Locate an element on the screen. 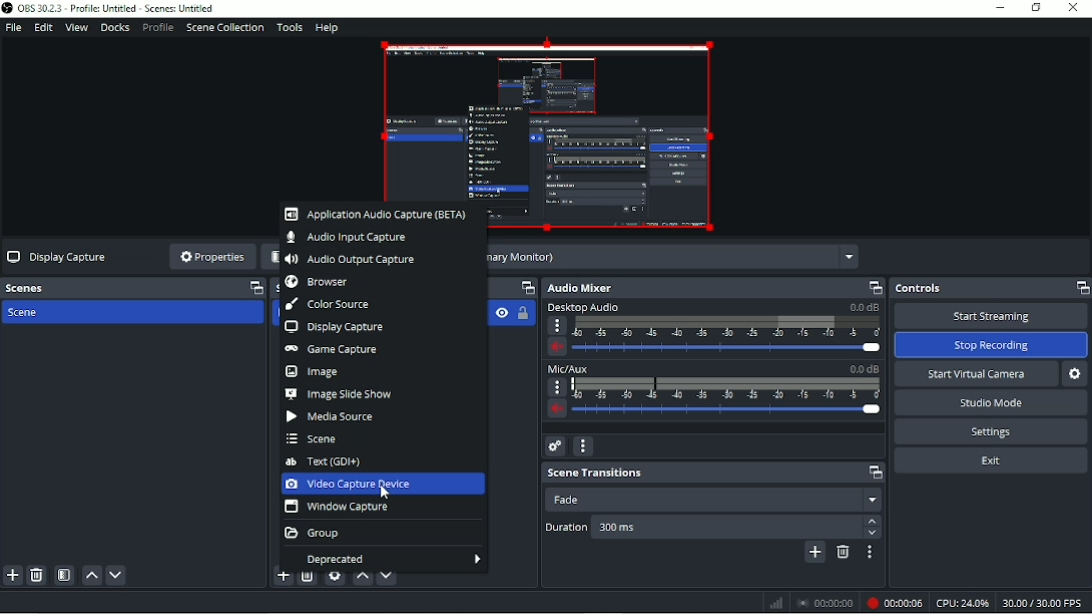 This screenshot has height=614, width=1092. View is located at coordinates (75, 27).